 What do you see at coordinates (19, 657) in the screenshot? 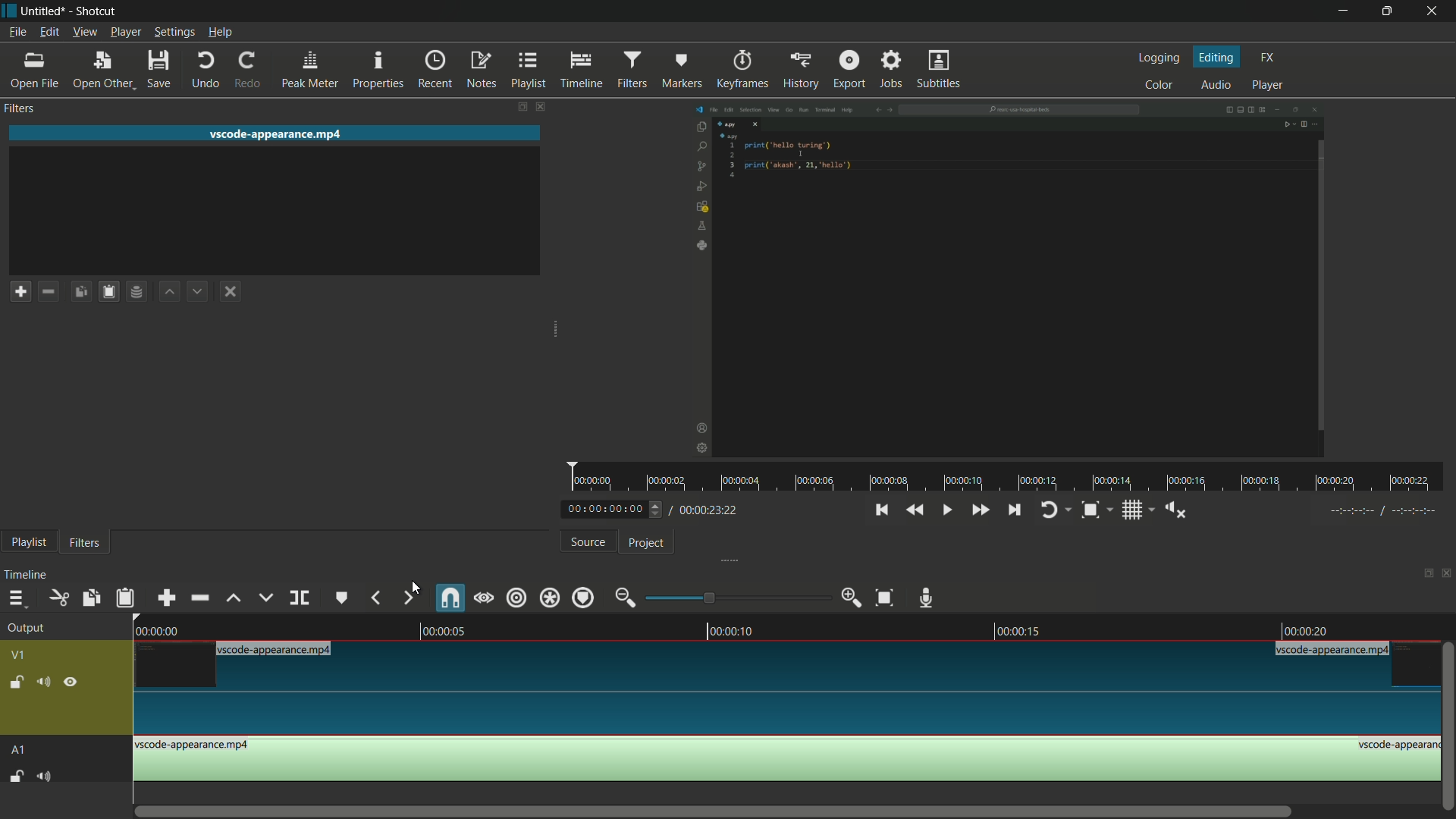
I see `v1` at bounding box center [19, 657].